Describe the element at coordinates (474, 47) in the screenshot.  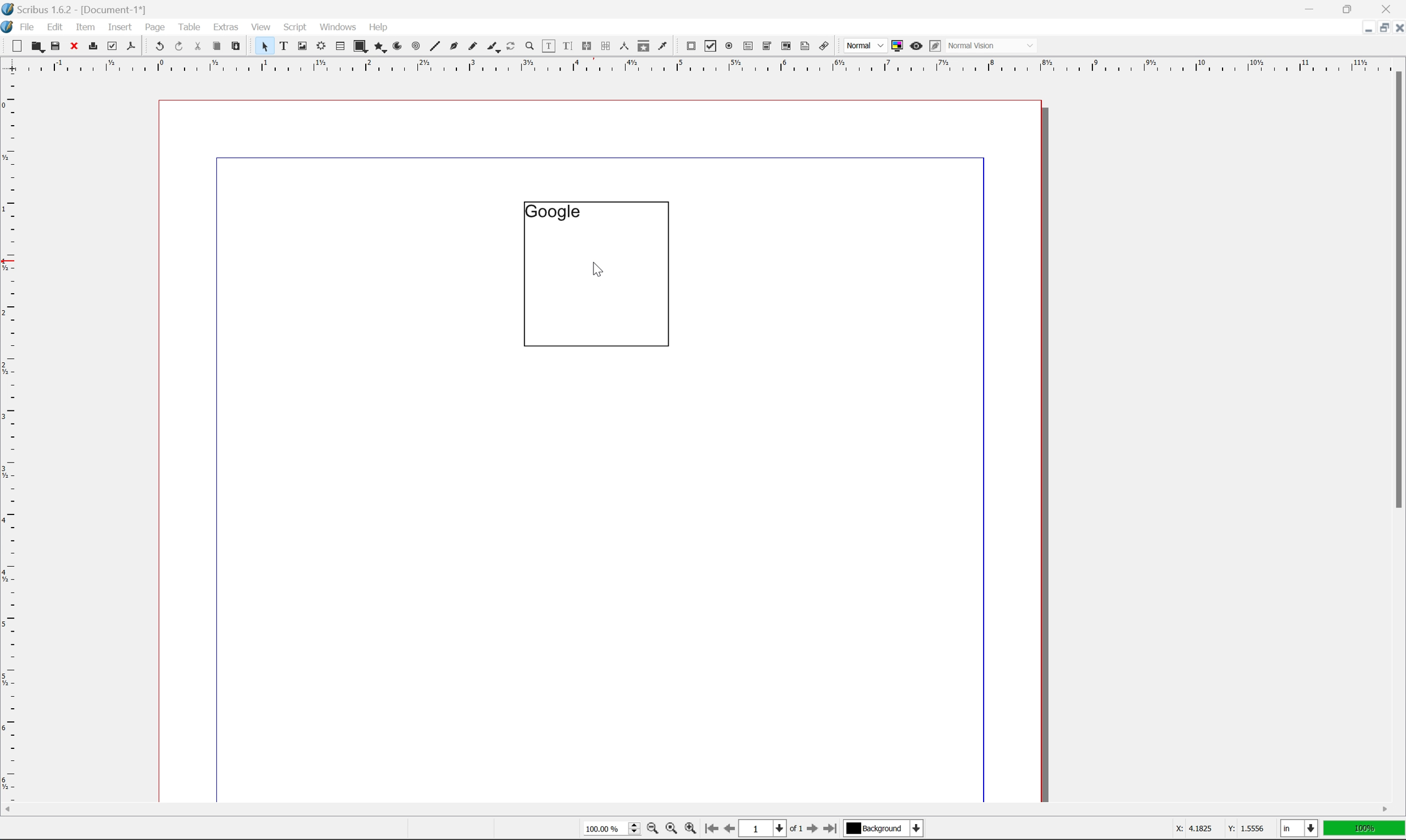
I see `freehand line` at that location.